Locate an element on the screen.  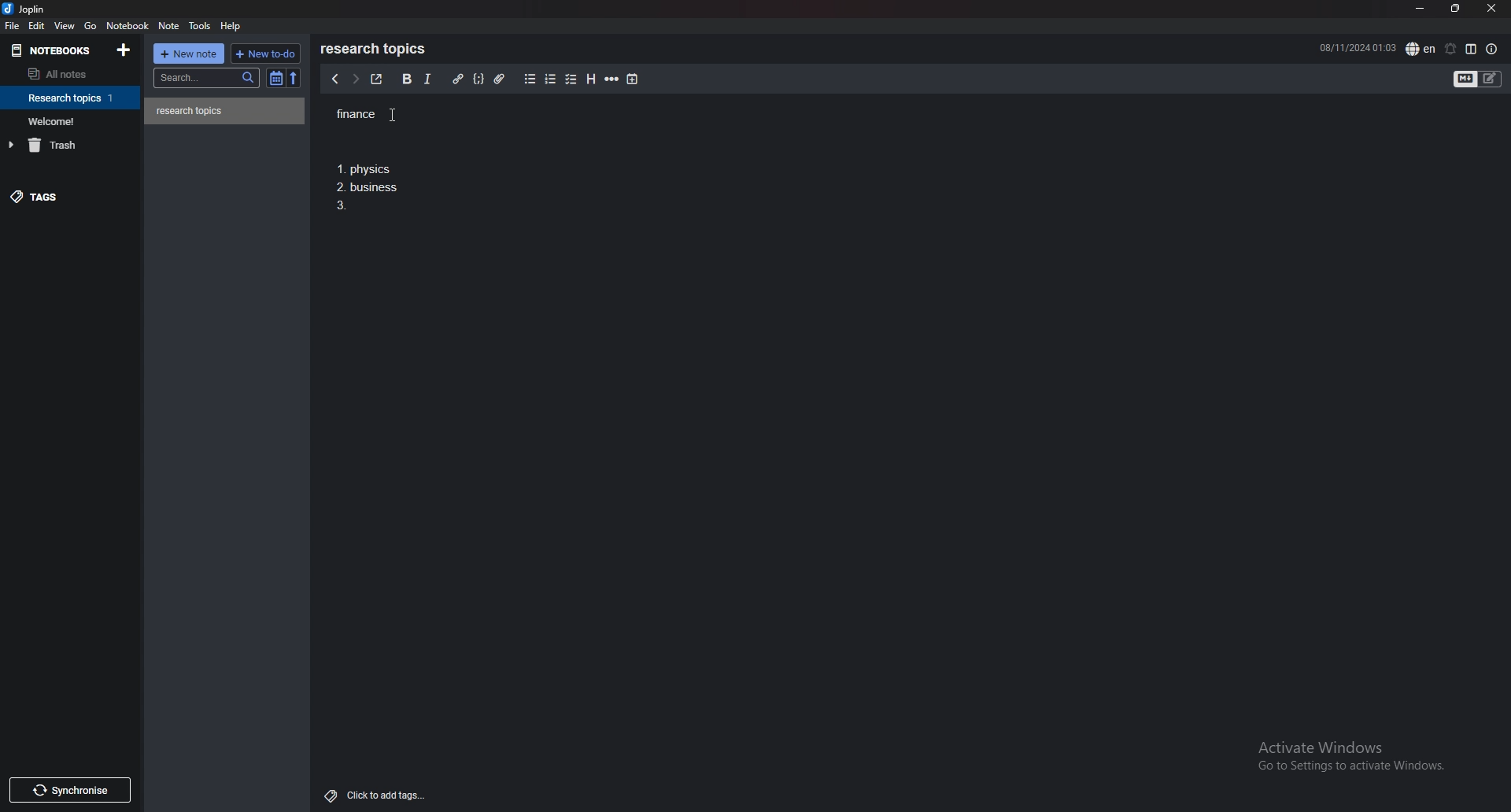
horizontal rule is located at coordinates (613, 79).